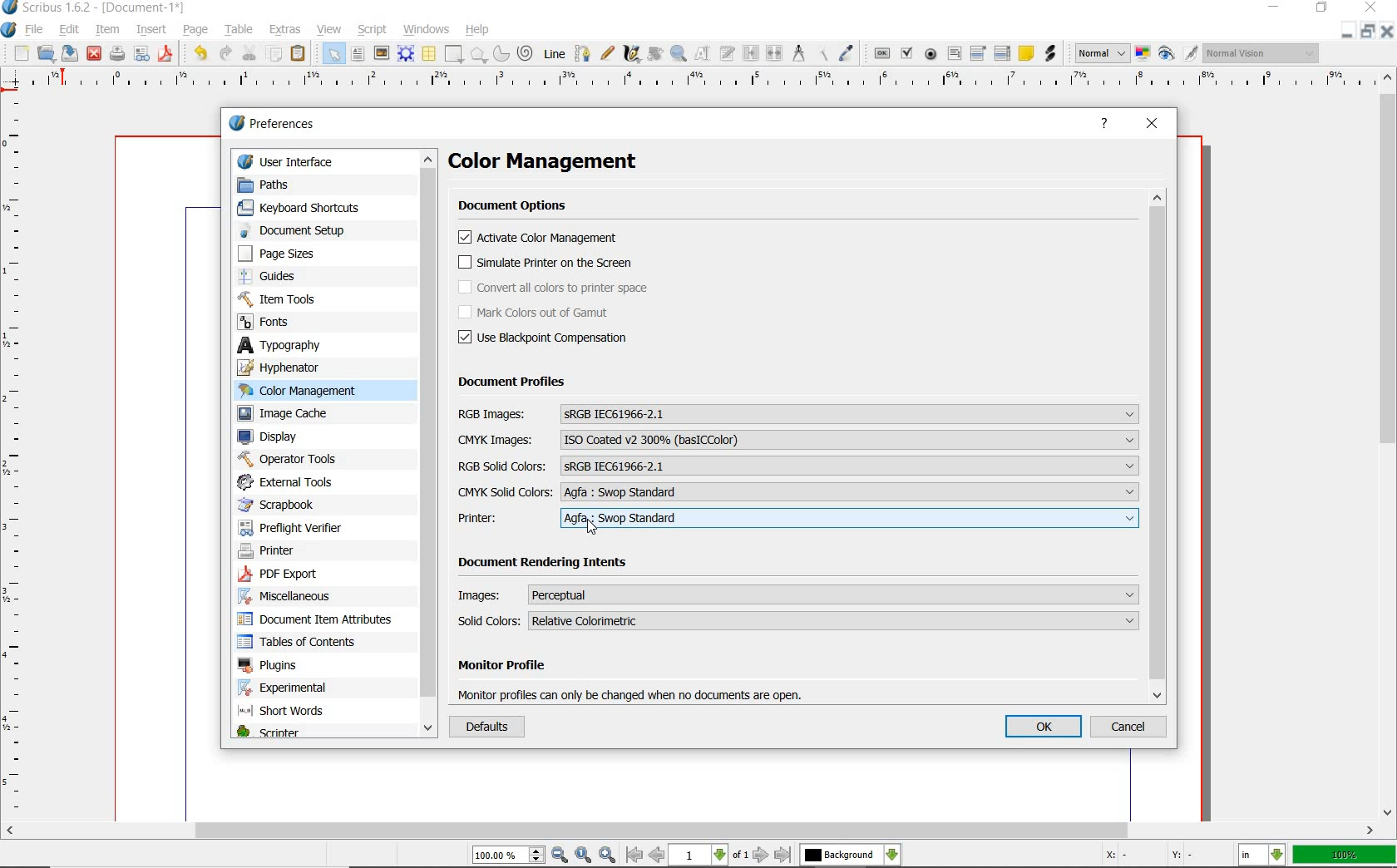 The width and height of the screenshot is (1397, 868). Describe the element at coordinates (517, 207) in the screenshot. I see `document options` at that location.